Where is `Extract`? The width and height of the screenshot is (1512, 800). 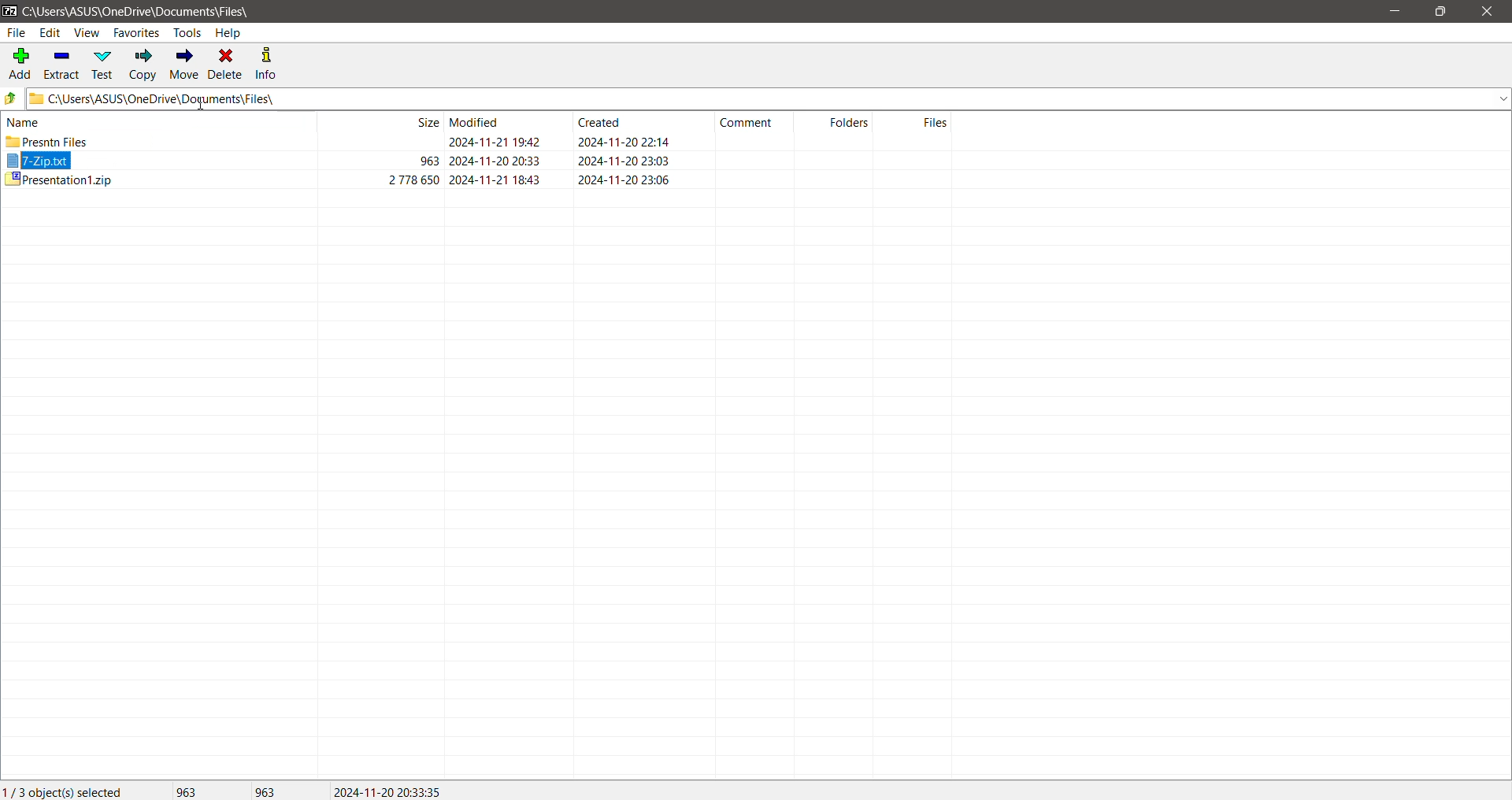
Extract is located at coordinates (61, 65).